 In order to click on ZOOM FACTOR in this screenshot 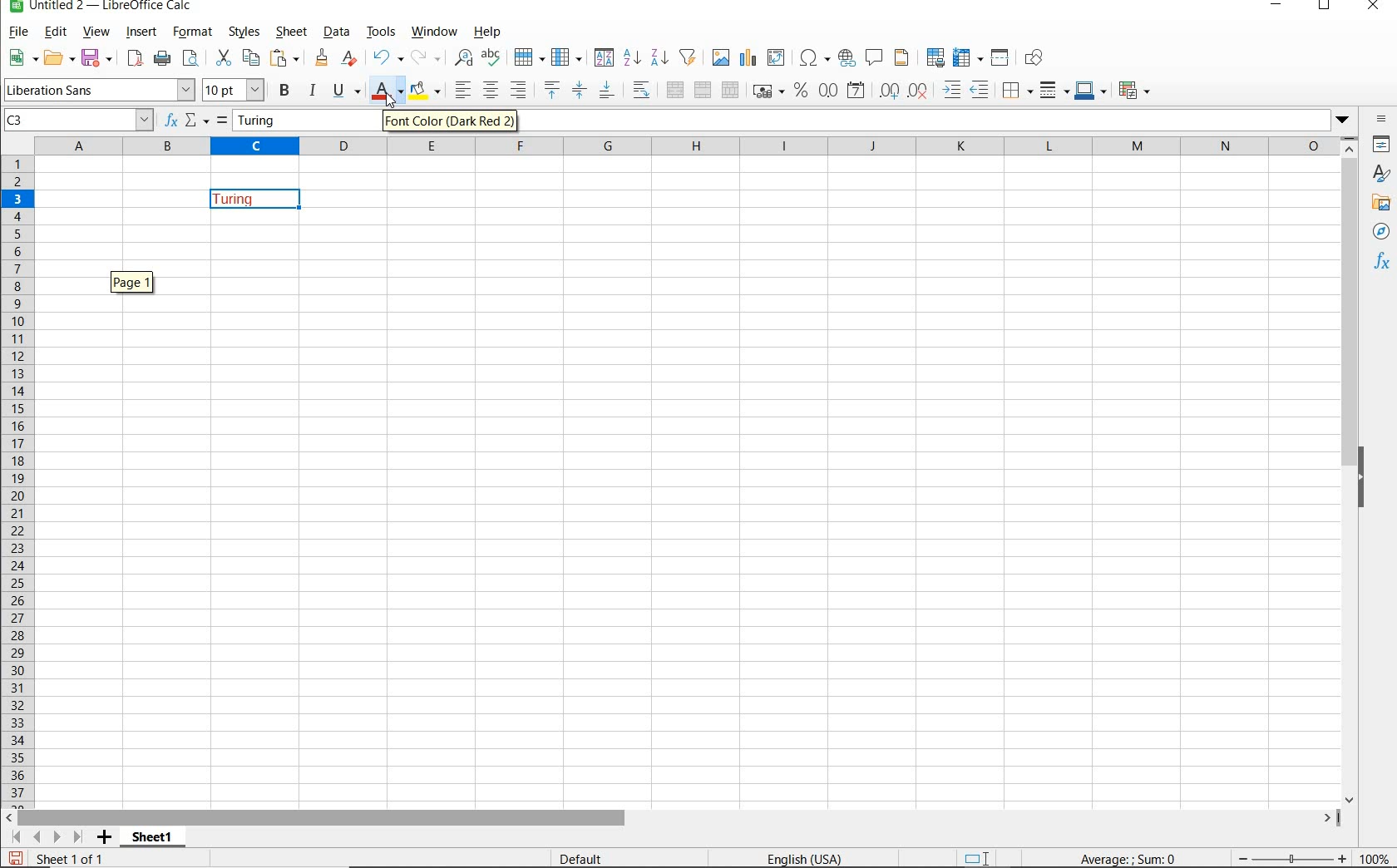, I will do `click(1376, 859)`.